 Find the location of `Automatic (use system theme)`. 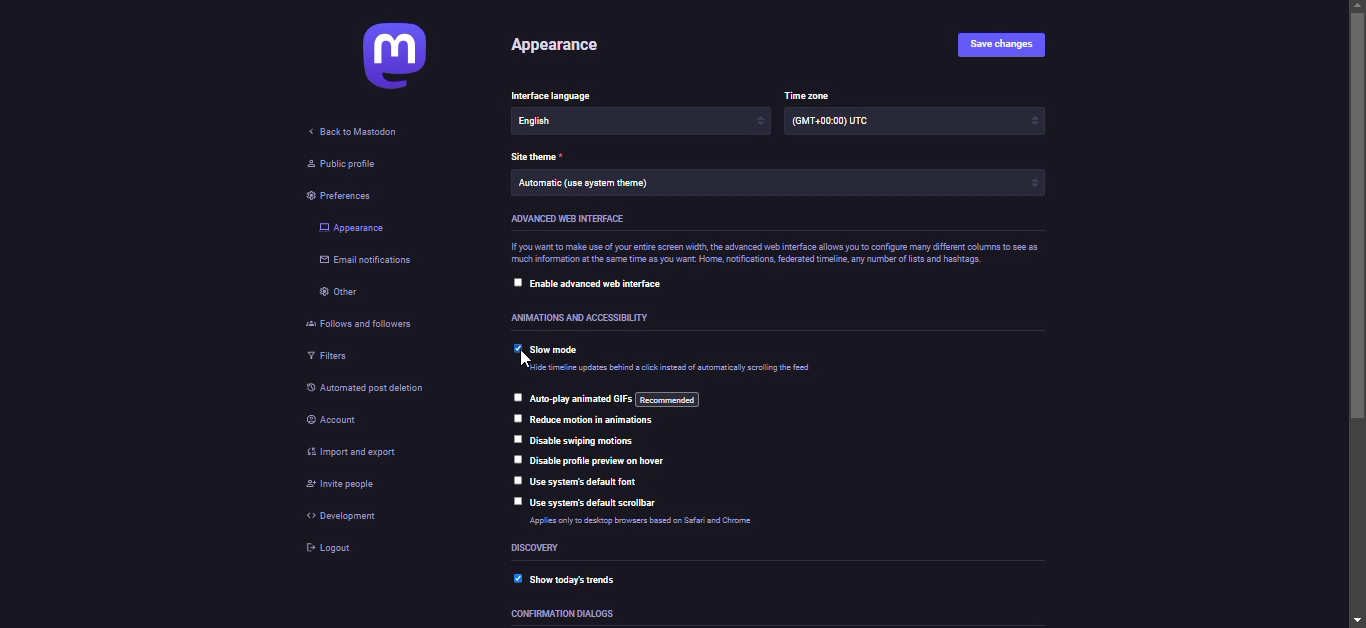

Automatic (use system theme) is located at coordinates (767, 182).